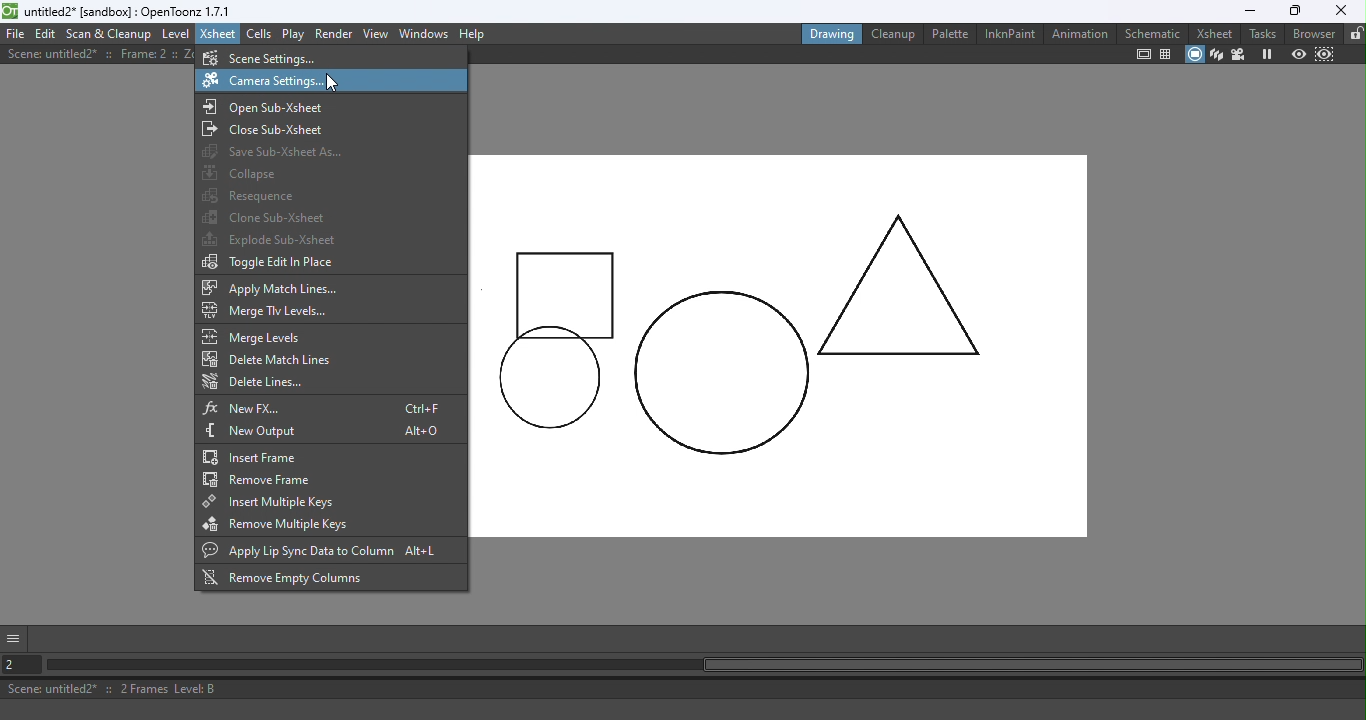  What do you see at coordinates (1144, 55) in the screenshot?
I see `Safe area` at bounding box center [1144, 55].